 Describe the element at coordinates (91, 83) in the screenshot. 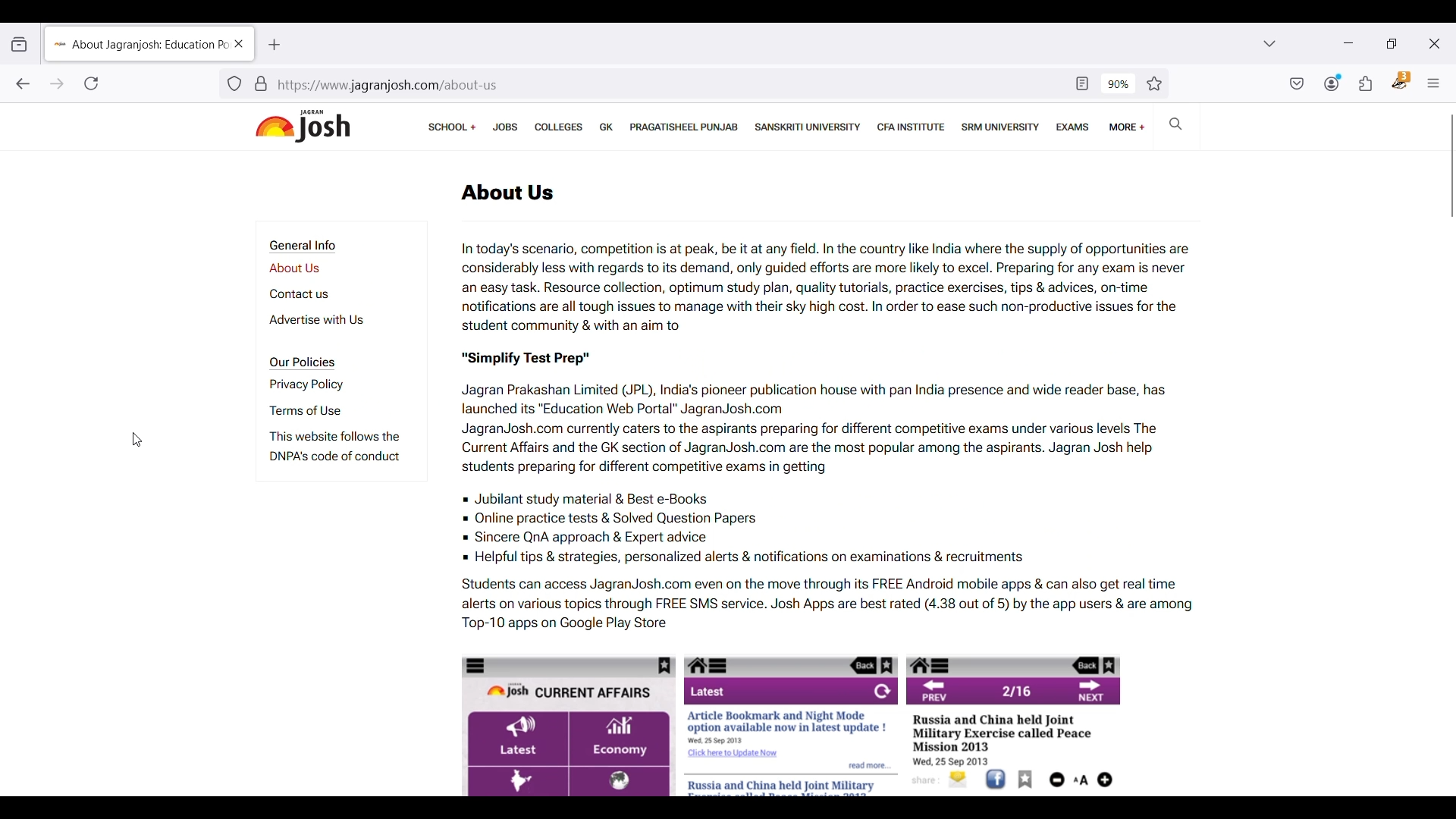

I see `Reload current page` at that location.